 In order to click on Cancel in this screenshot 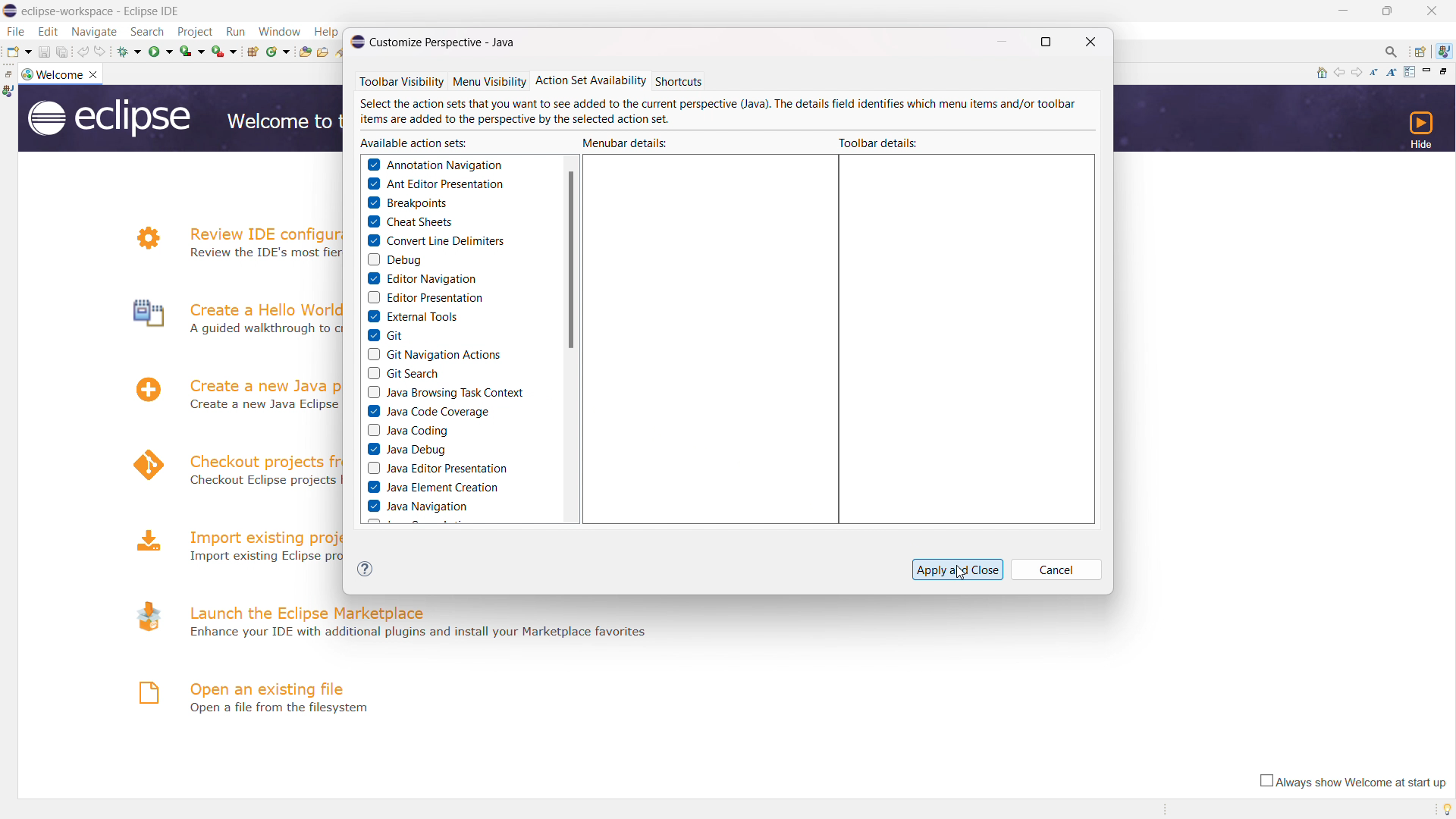, I will do `click(1059, 568)`.